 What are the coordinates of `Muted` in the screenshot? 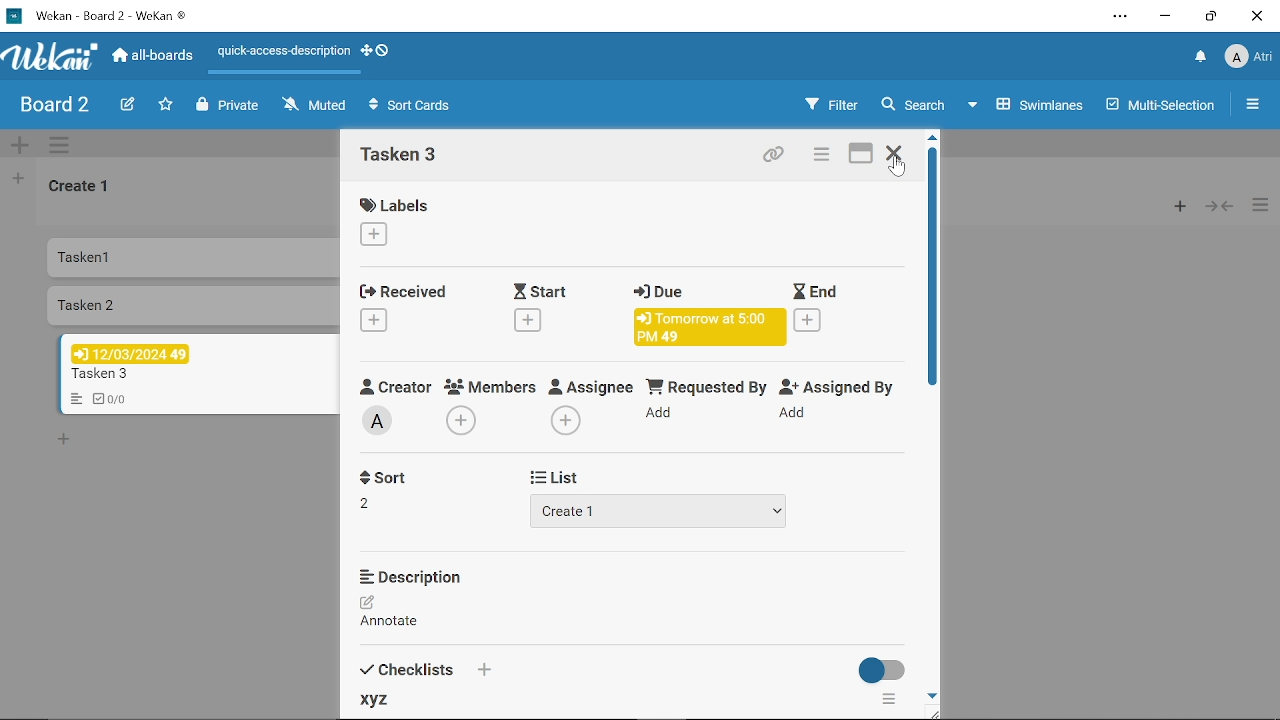 It's located at (320, 105).